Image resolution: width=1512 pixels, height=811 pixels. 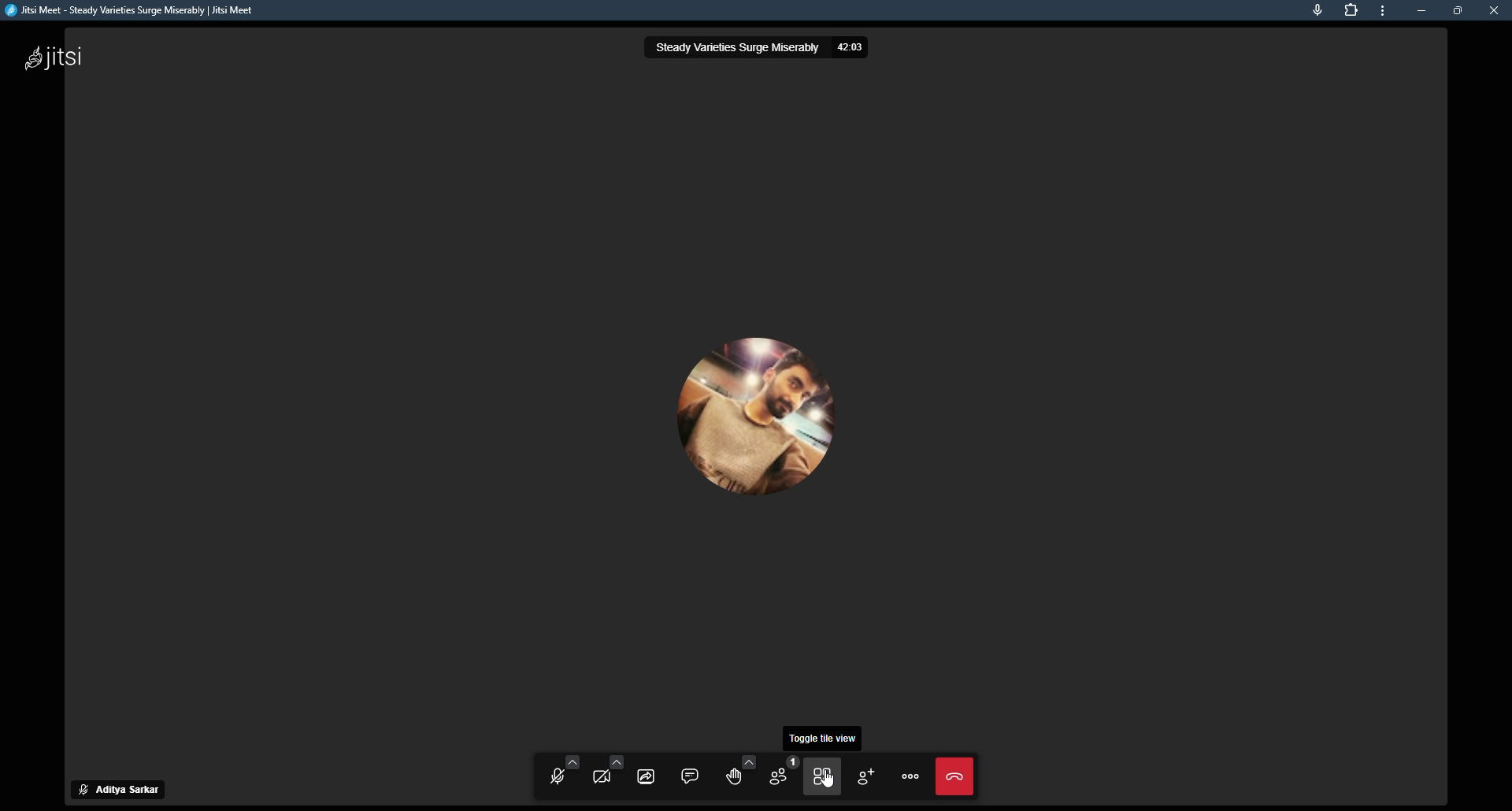 What do you see at coordinates (136, 790) in the screenshot?
I see `profile` at bounding box center [136, 790].